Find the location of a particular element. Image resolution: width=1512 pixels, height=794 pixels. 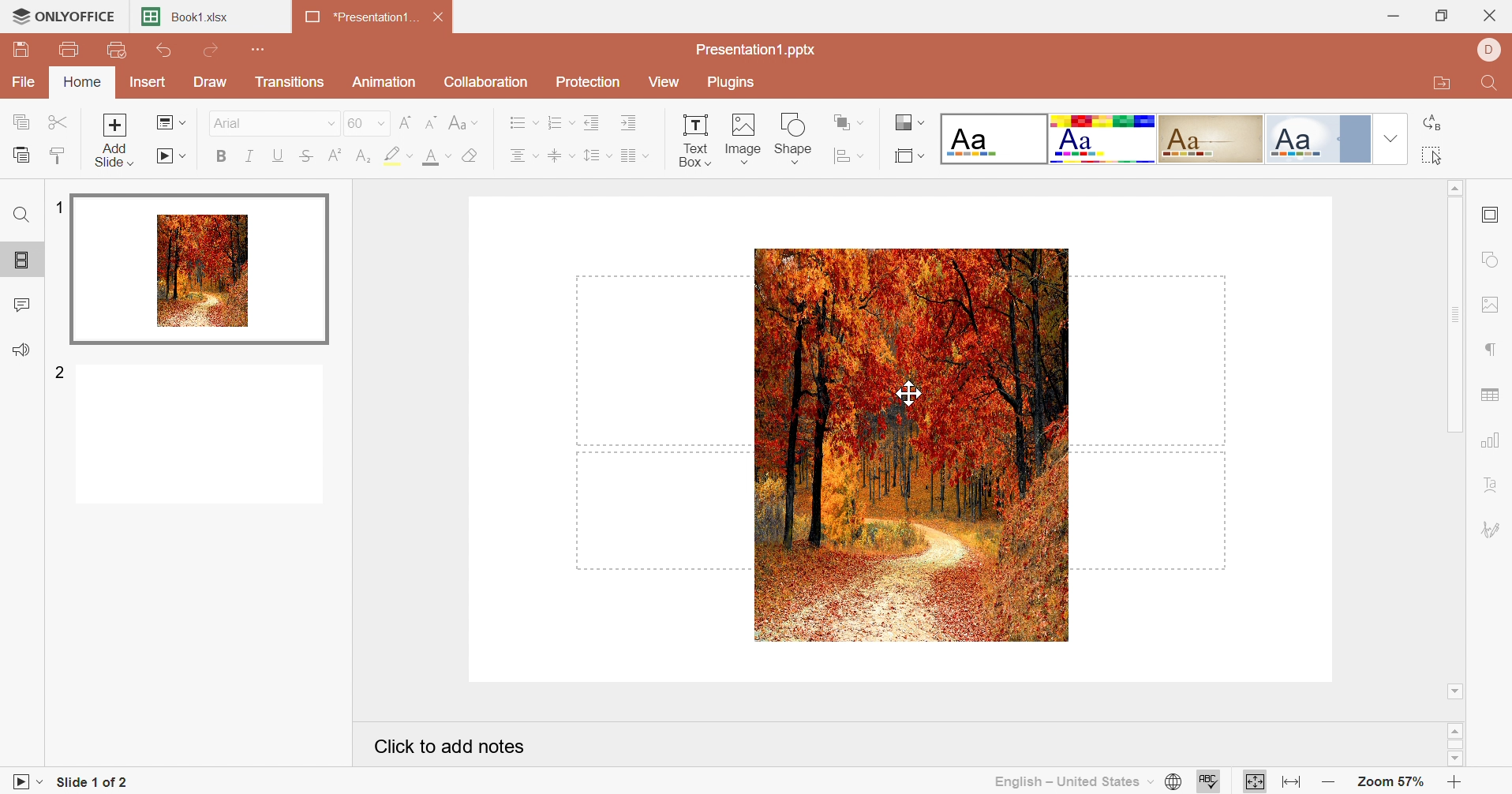

Subscript is located at coordinates (363, 155).